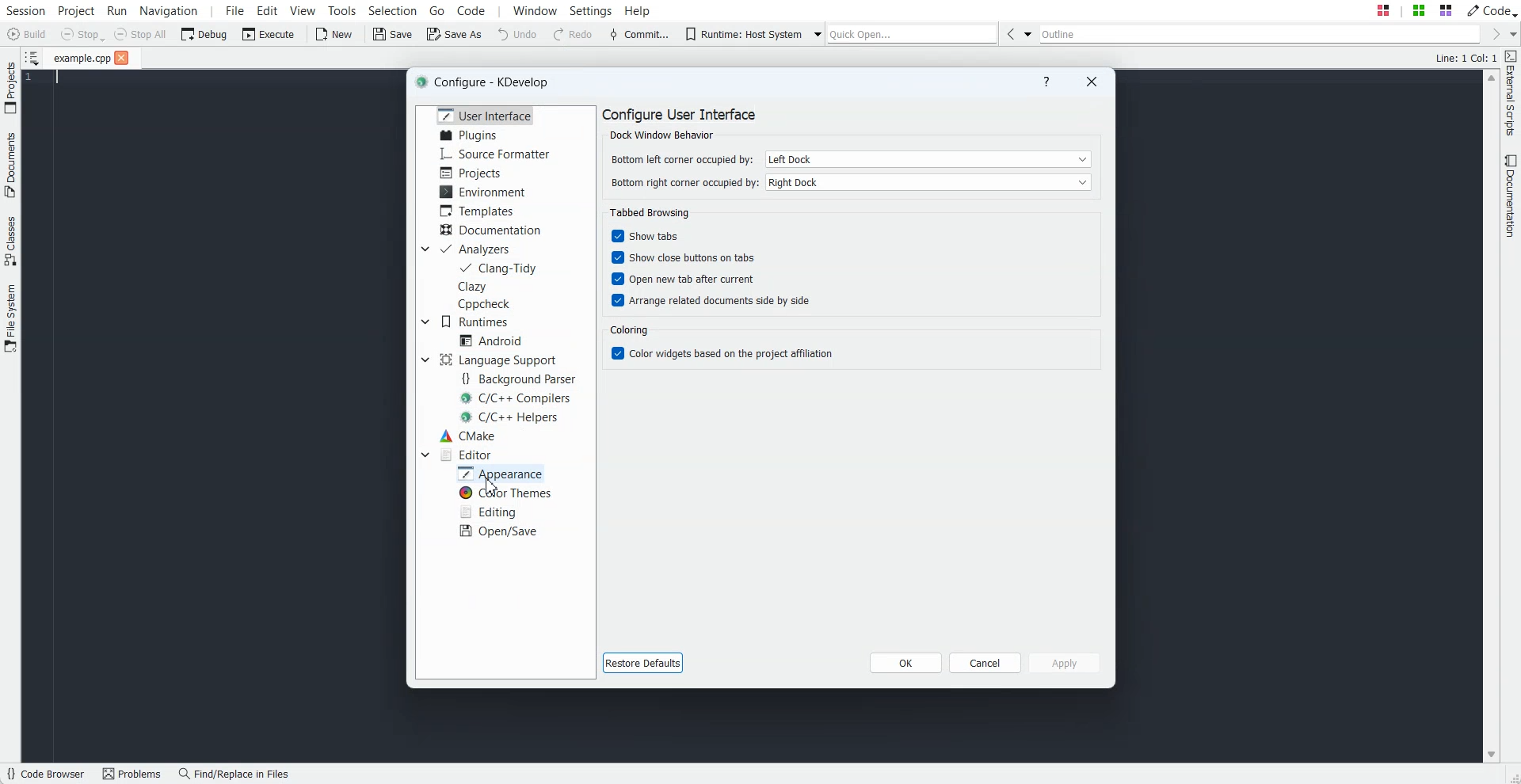 The image size is (1521, 784). I want to click on Bottom right corner occupied by, so click(684, 183).